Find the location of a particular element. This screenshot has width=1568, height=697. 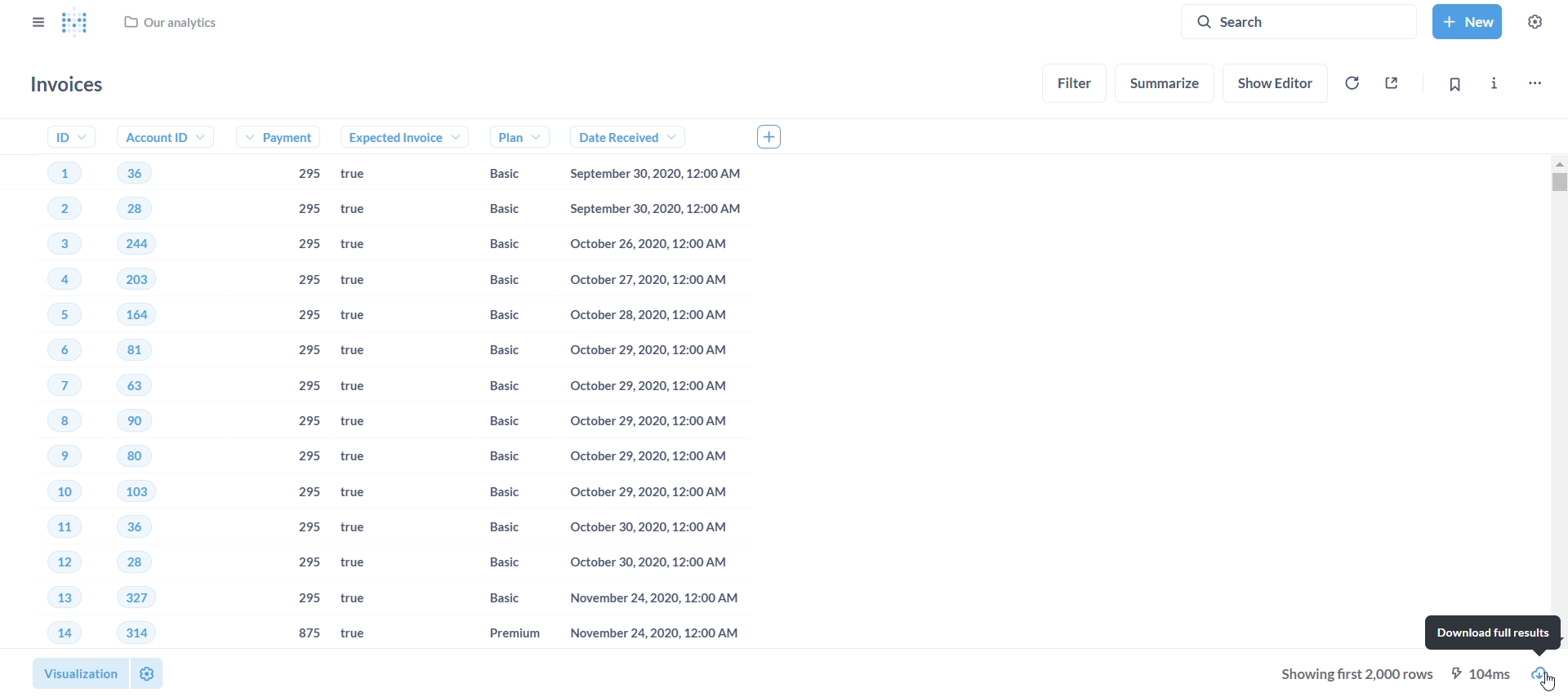

October 29,2020, 12:00 AM is located at coordinates (645, 424).